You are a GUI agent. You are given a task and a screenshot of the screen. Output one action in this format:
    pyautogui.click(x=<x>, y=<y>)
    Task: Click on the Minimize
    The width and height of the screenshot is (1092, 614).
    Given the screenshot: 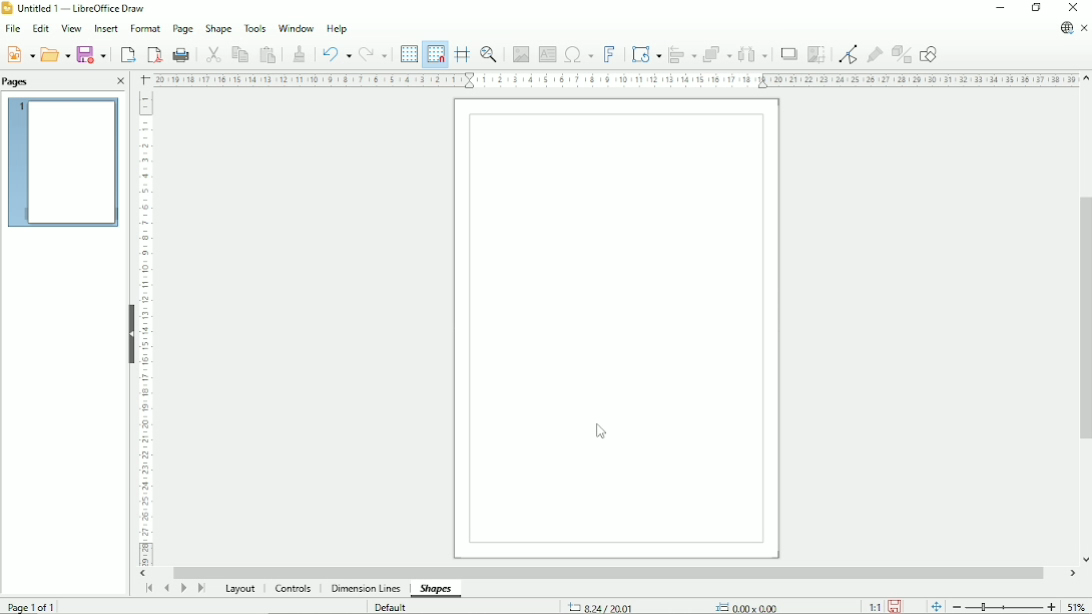 What is the action you would take?
    pyautogui.click(x=999, y=9)
    